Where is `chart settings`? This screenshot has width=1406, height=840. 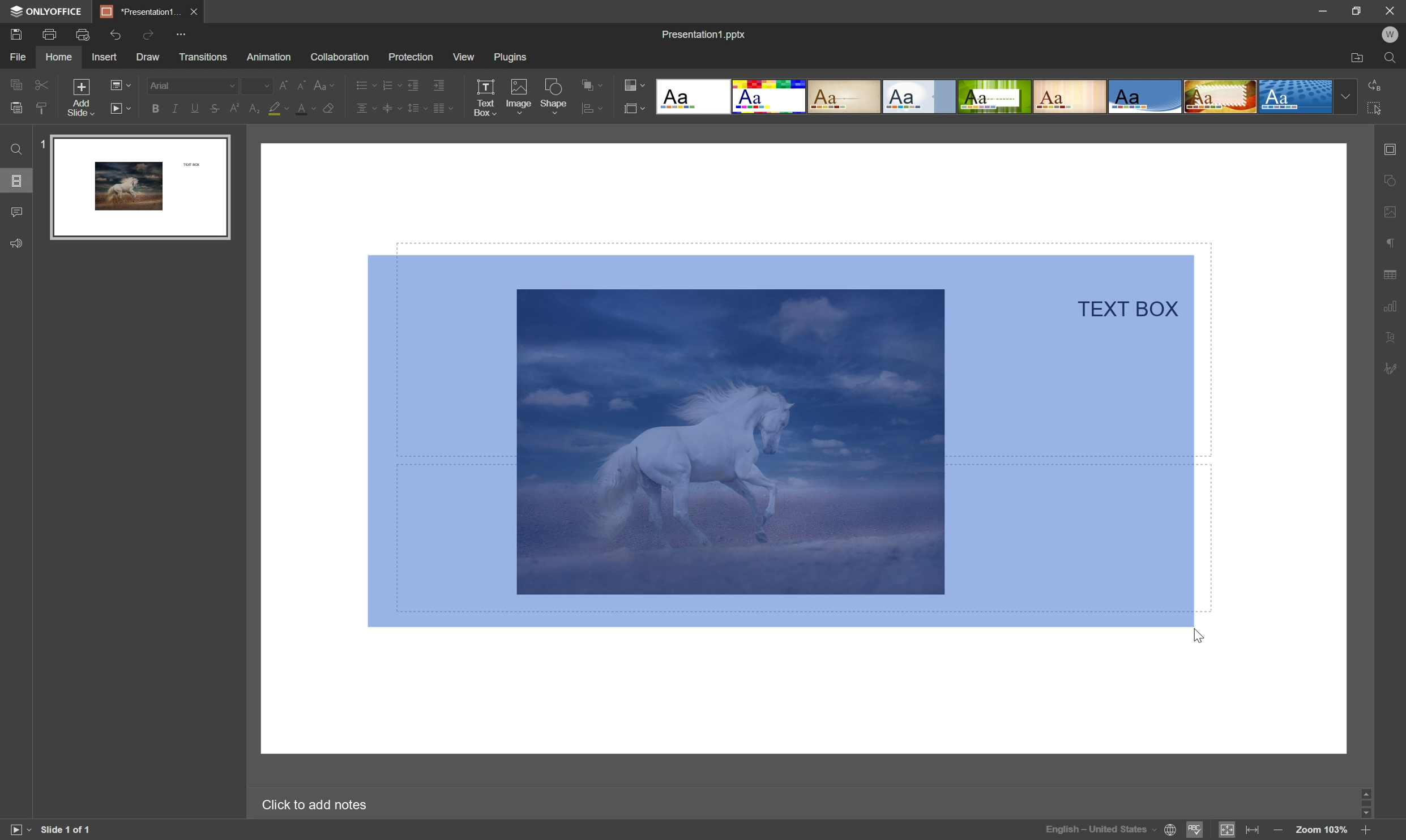 chart settings is located at coordinates (1390, 303).